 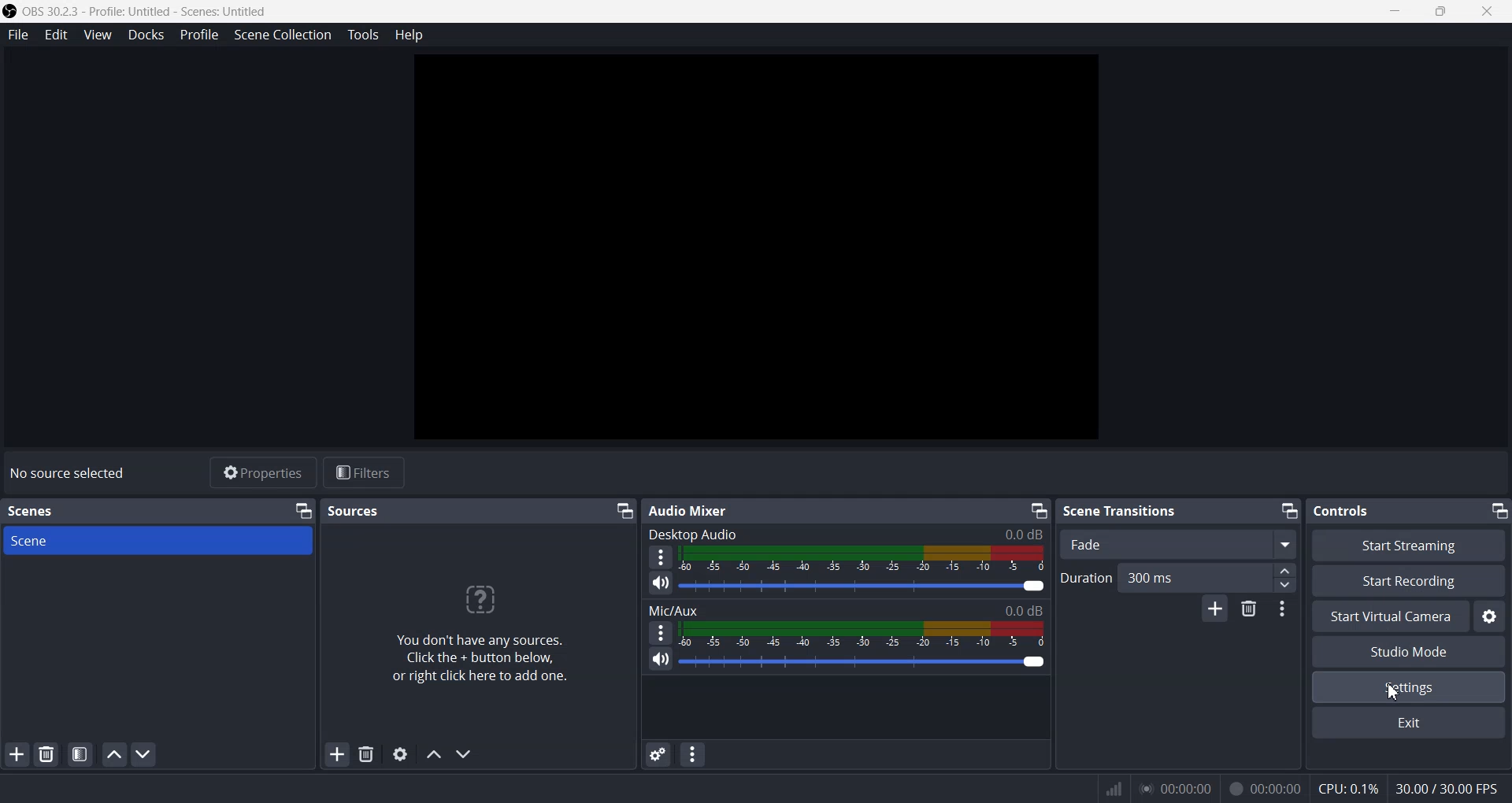 I want to click on More, so click(x=659, y=631).